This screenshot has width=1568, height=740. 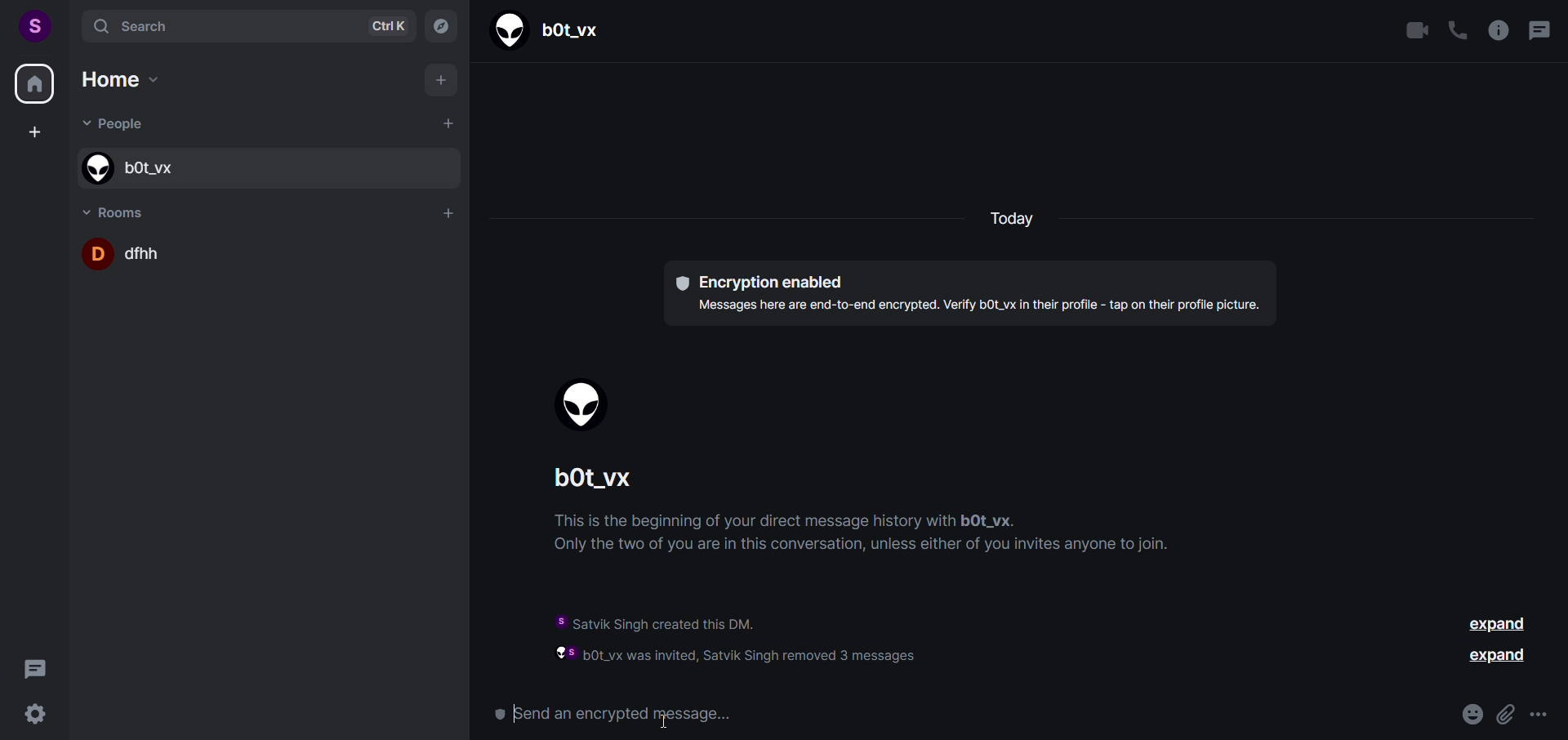 What do you see at coordinates (446, 123) in the screenshot?
I see `add people` at bounding box center [446, 123].